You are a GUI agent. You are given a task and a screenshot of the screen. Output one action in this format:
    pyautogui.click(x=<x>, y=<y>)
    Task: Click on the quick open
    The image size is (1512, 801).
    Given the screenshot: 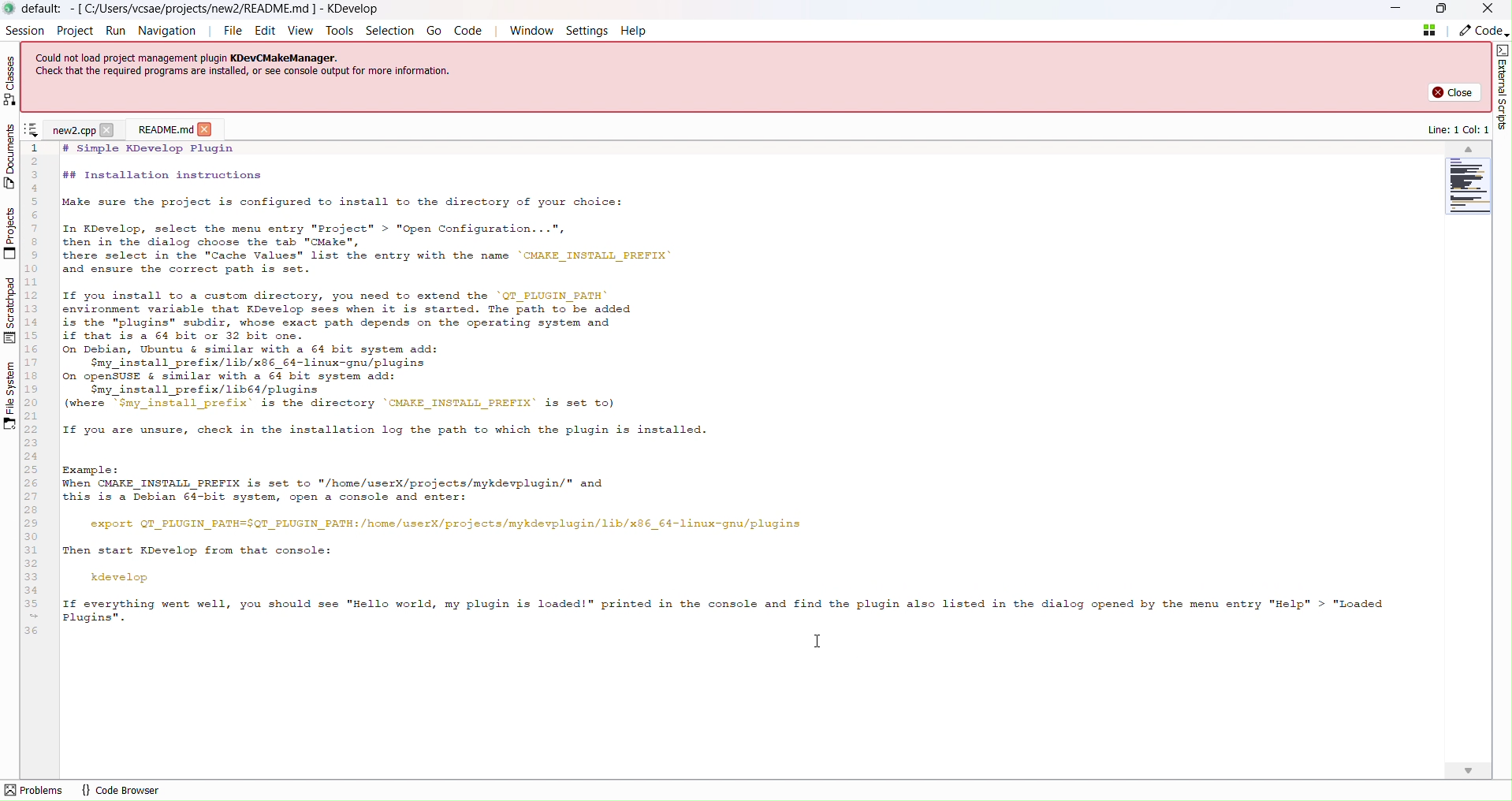 What is the action you would take?
    pyautogui.click(x=1429, y=30)
    